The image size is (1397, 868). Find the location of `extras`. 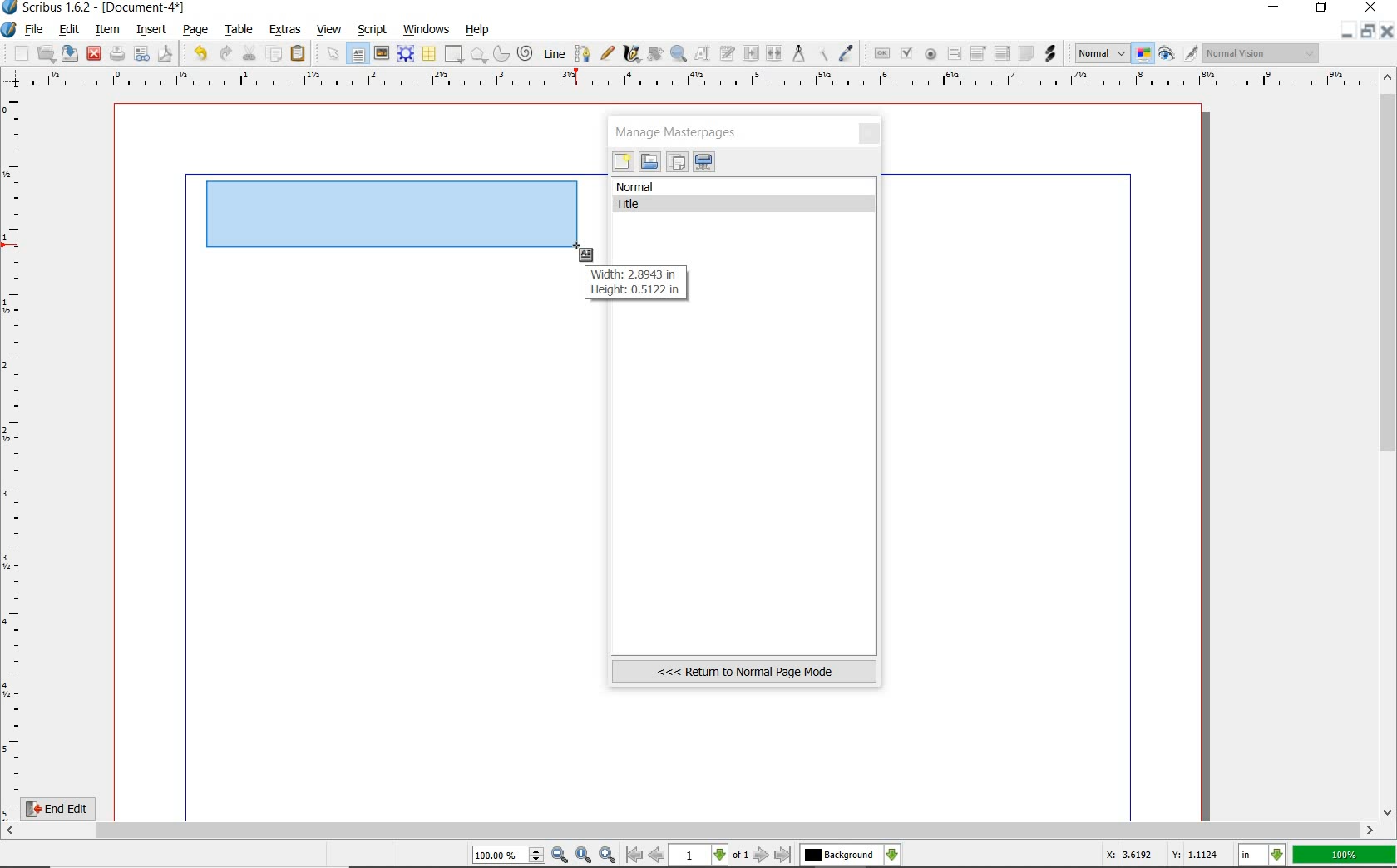

extras is located at coordinates (286, 30).